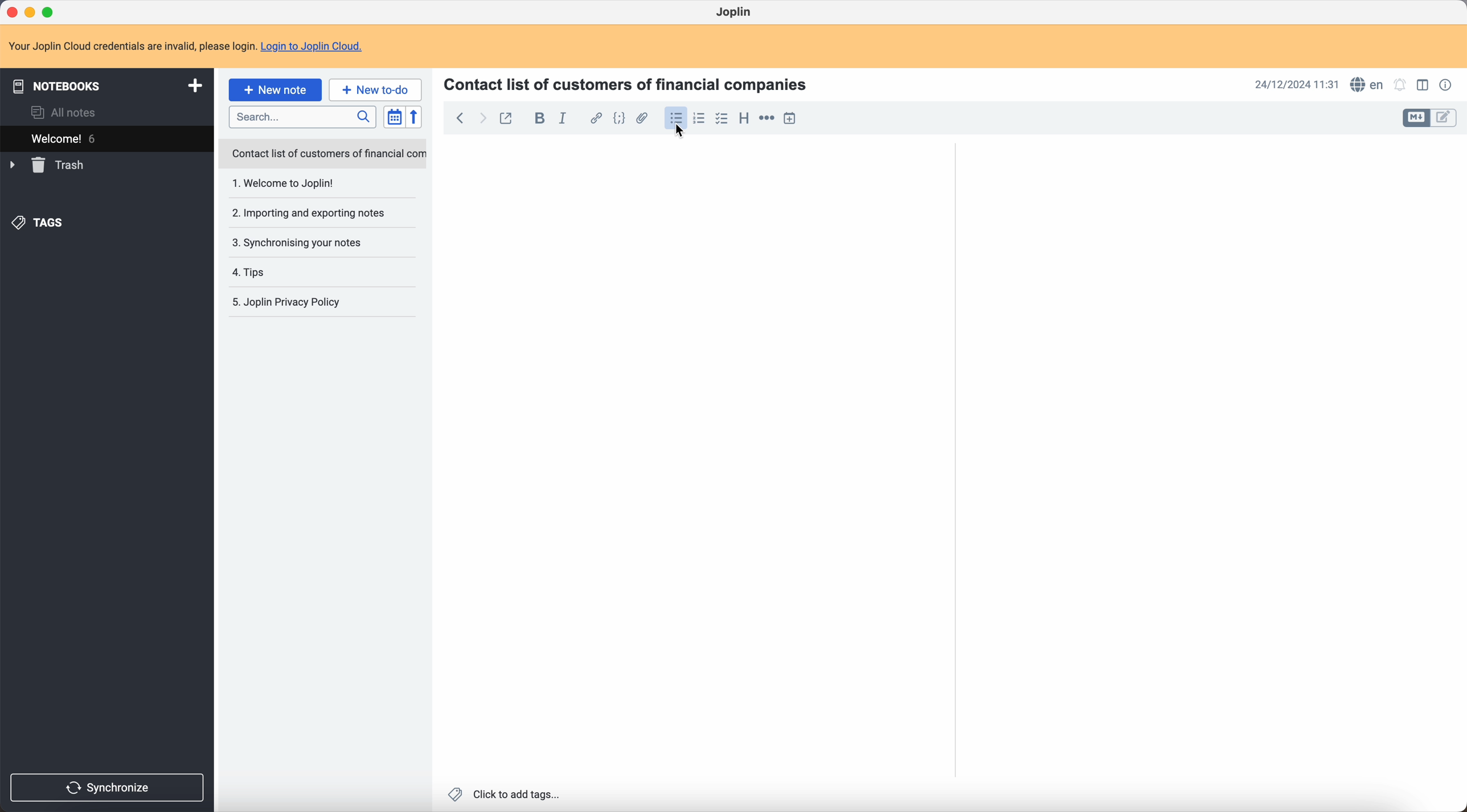 This screenshot has width=1467, height=812. Describe the element at coordinates (633, 83) in the screenshot. I see `Contact list of customers of financial companies` at that location.